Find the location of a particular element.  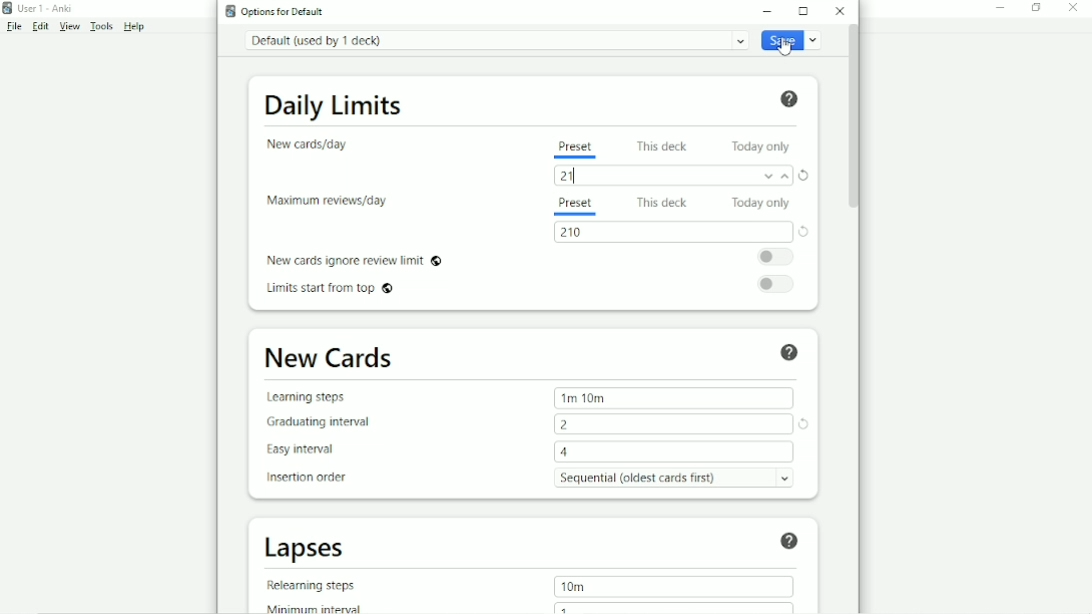

1m 10m is located at coordinates (584, 397).